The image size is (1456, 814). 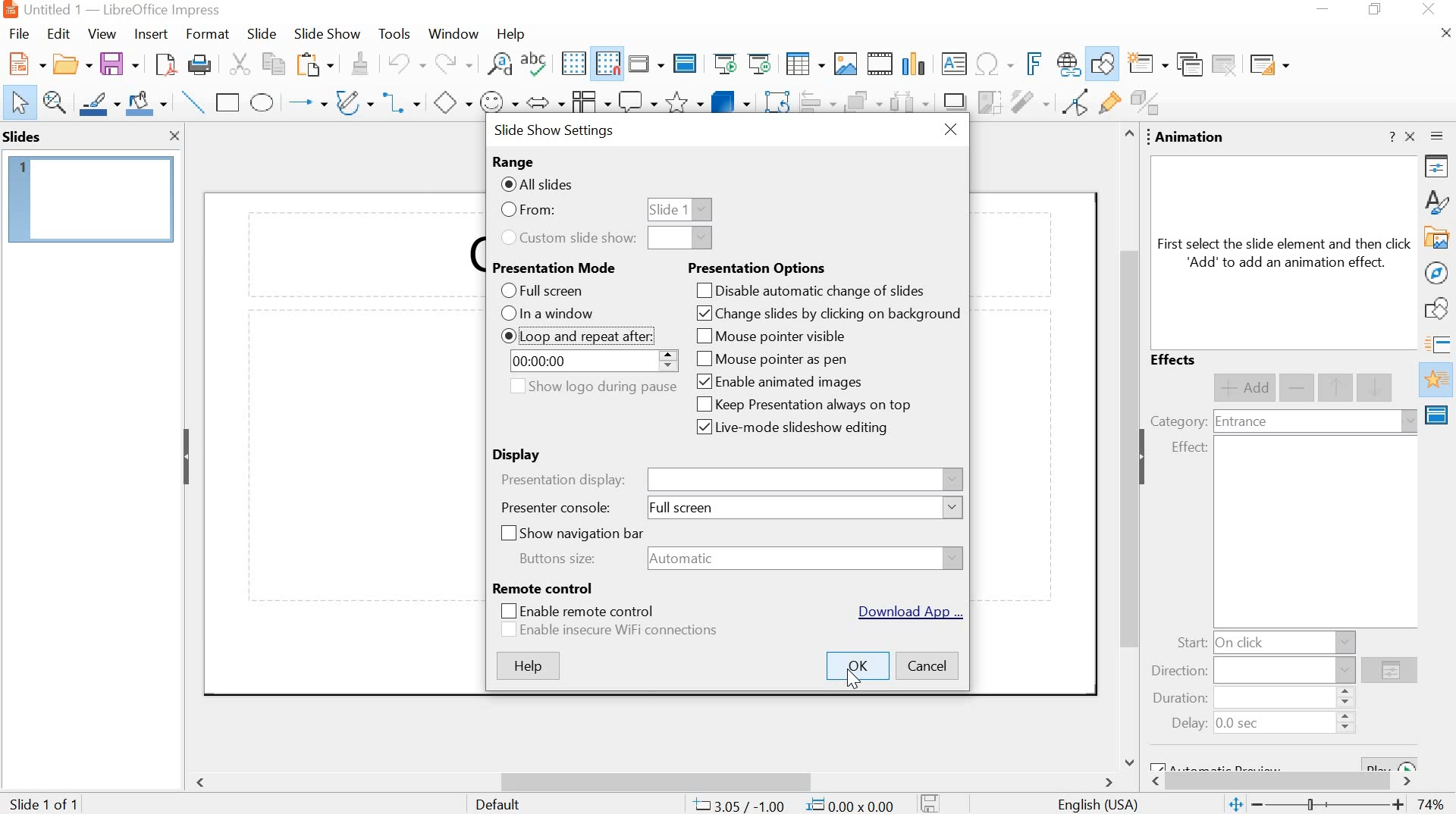 I want to click on modify document, so click(x=930, y=803).